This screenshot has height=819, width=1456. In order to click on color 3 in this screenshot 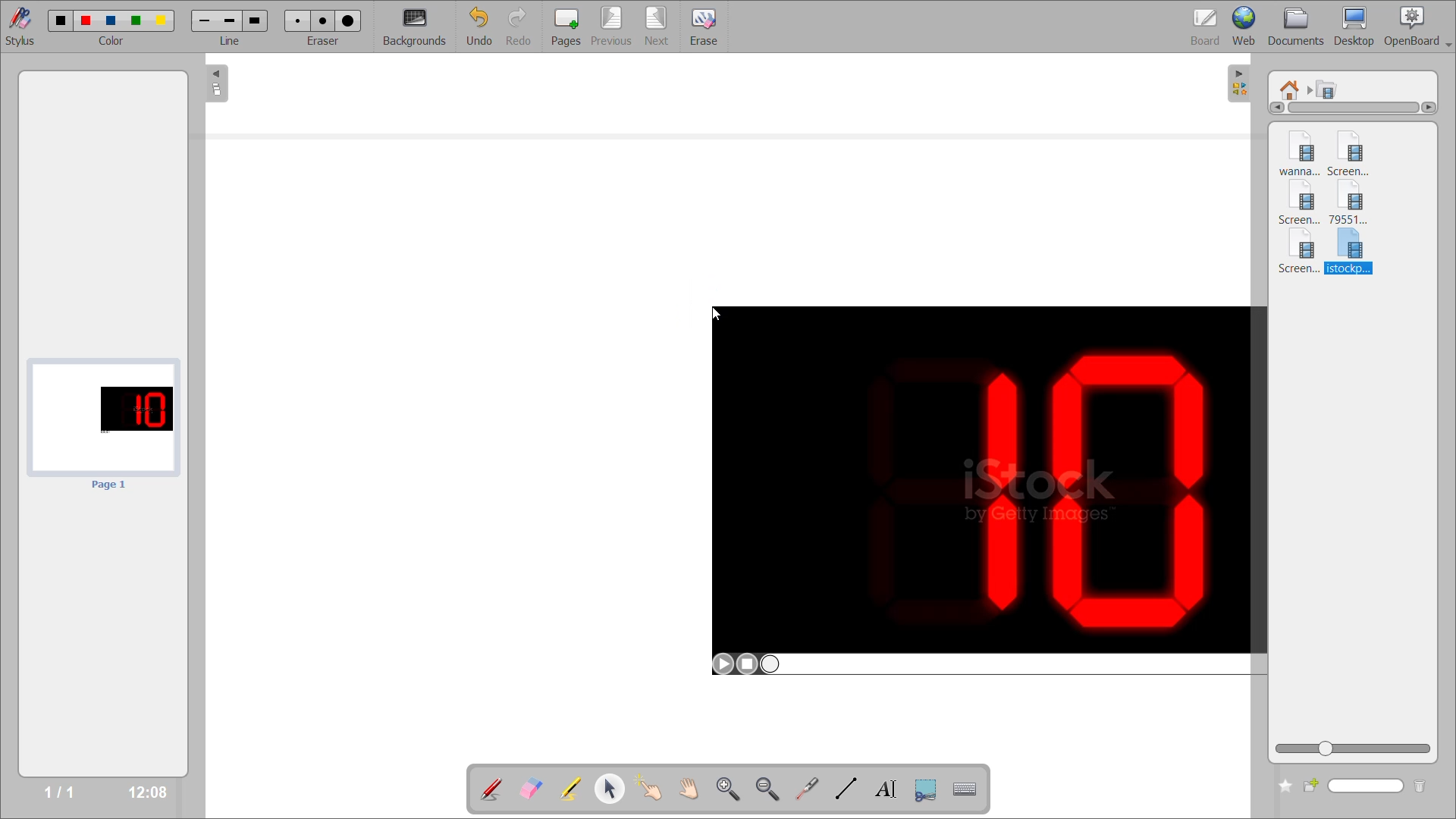, I will do `click(114, 20)`.